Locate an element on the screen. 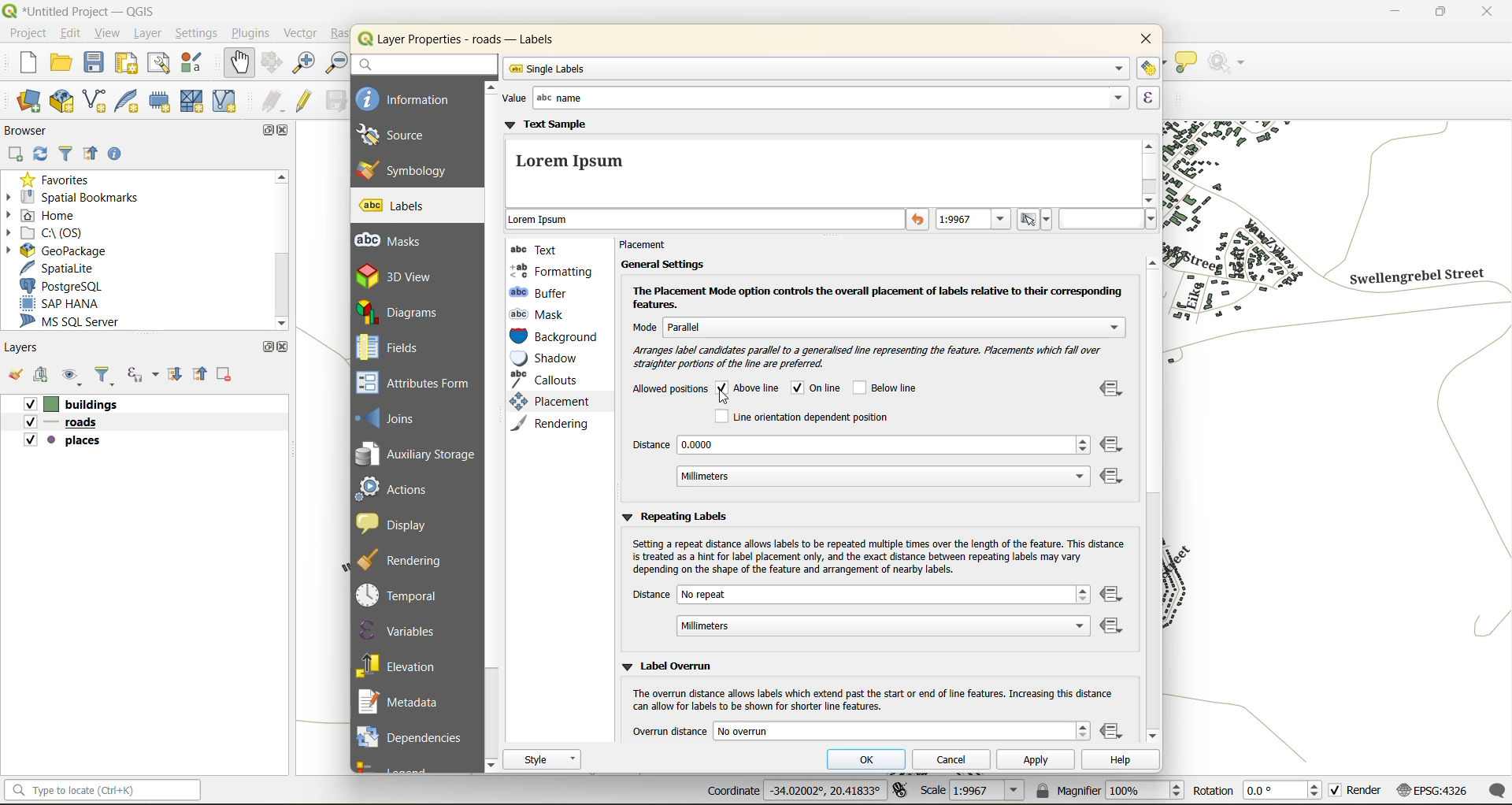 This screenshot has height=805, width=1512. help is located at coordinates (1119, 762).